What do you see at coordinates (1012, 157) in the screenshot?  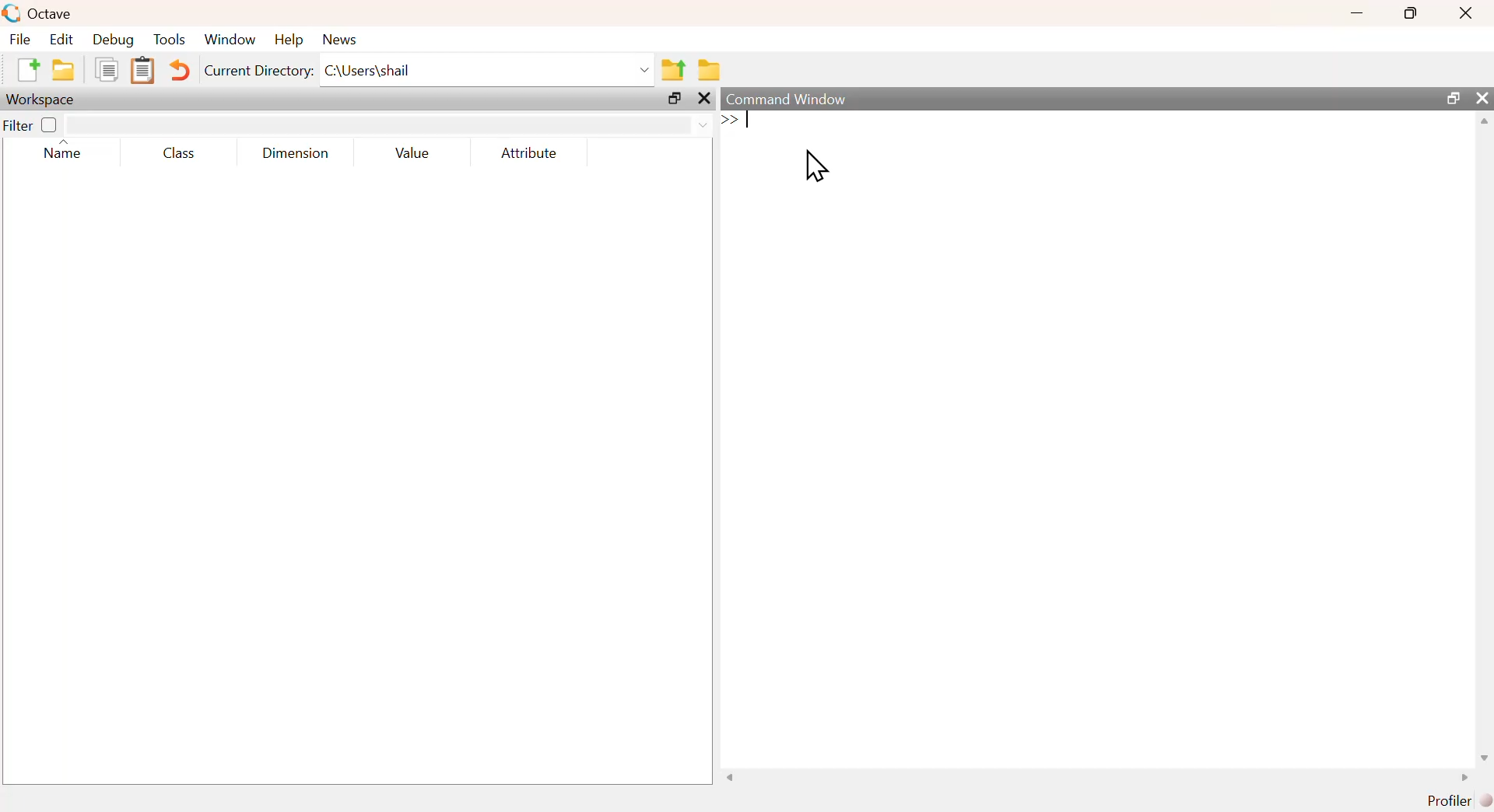 I see `commands` at bounding box center [1012, 157].